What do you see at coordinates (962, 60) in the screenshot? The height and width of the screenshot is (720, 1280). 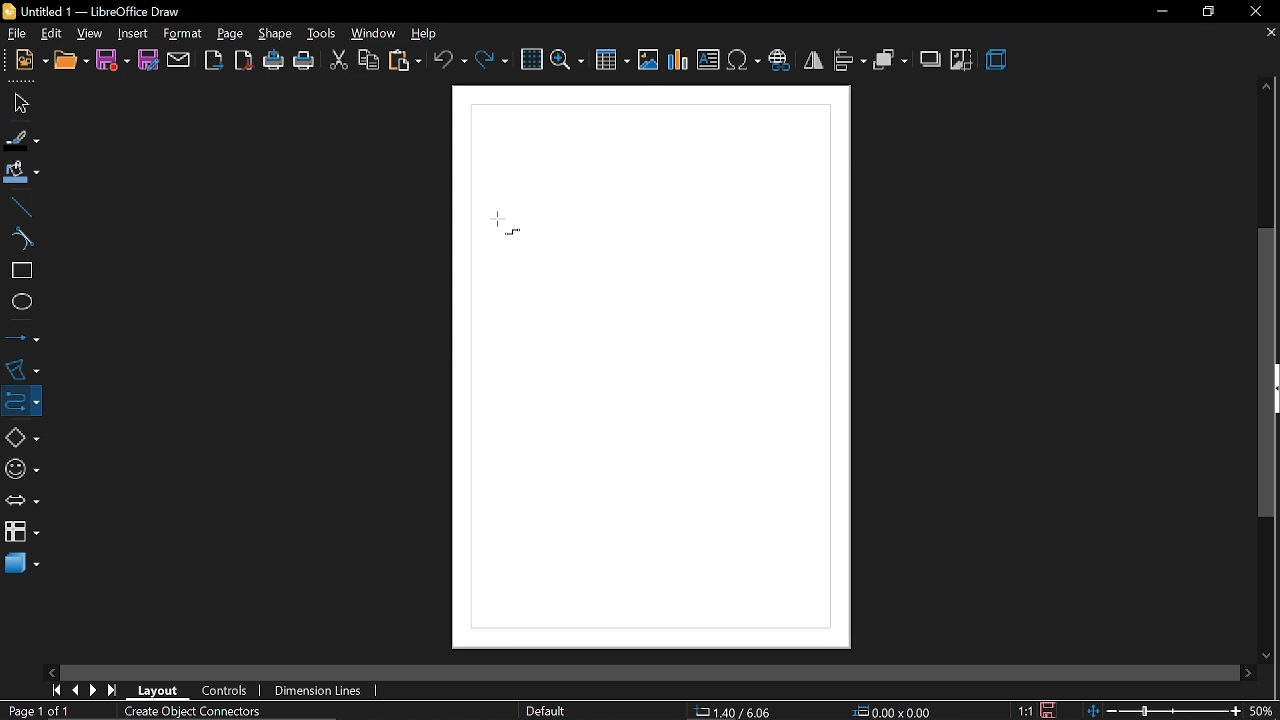 I see `crop` at bounding box center [962, 60].